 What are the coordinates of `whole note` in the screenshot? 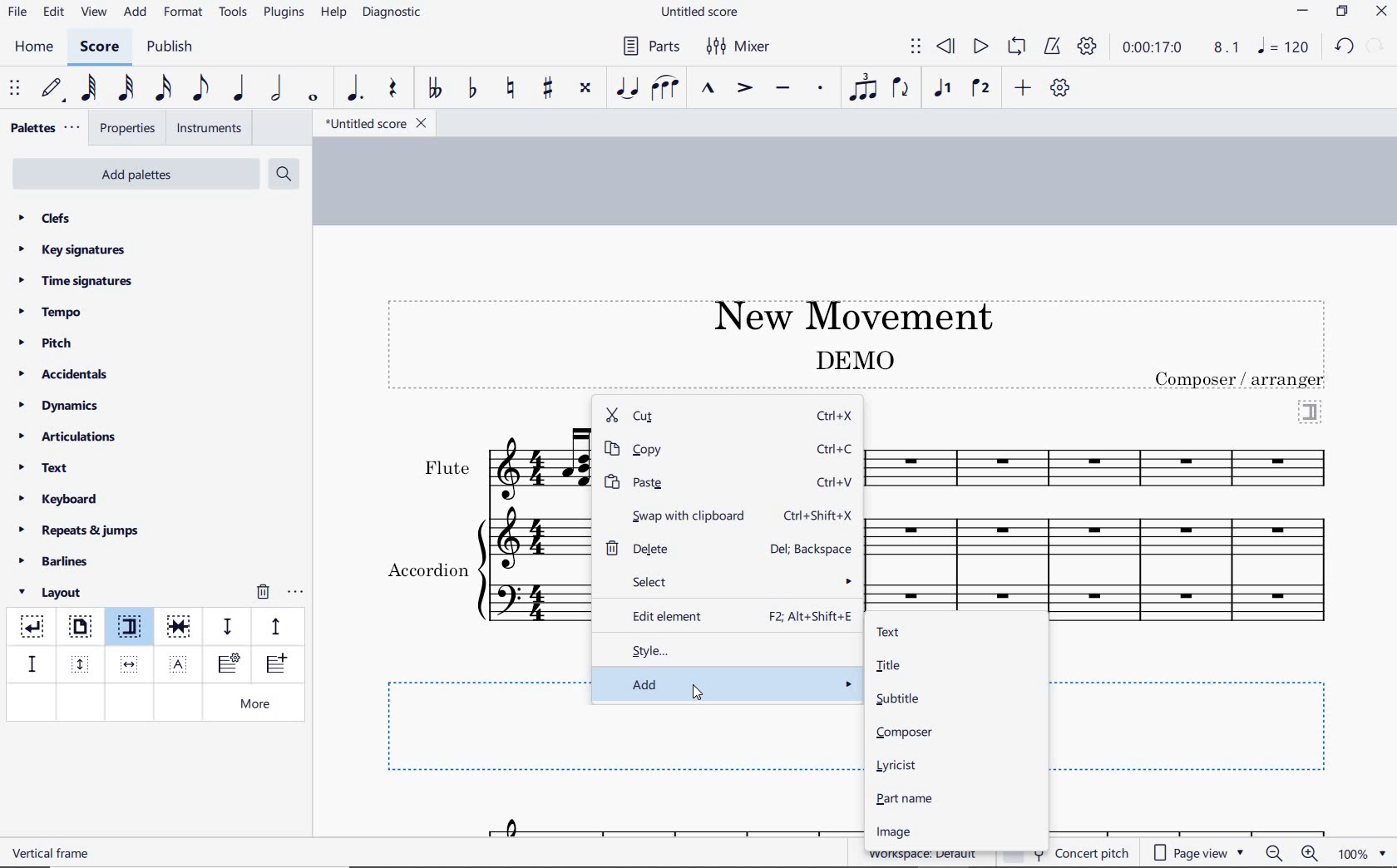 It's located at (314, 97).